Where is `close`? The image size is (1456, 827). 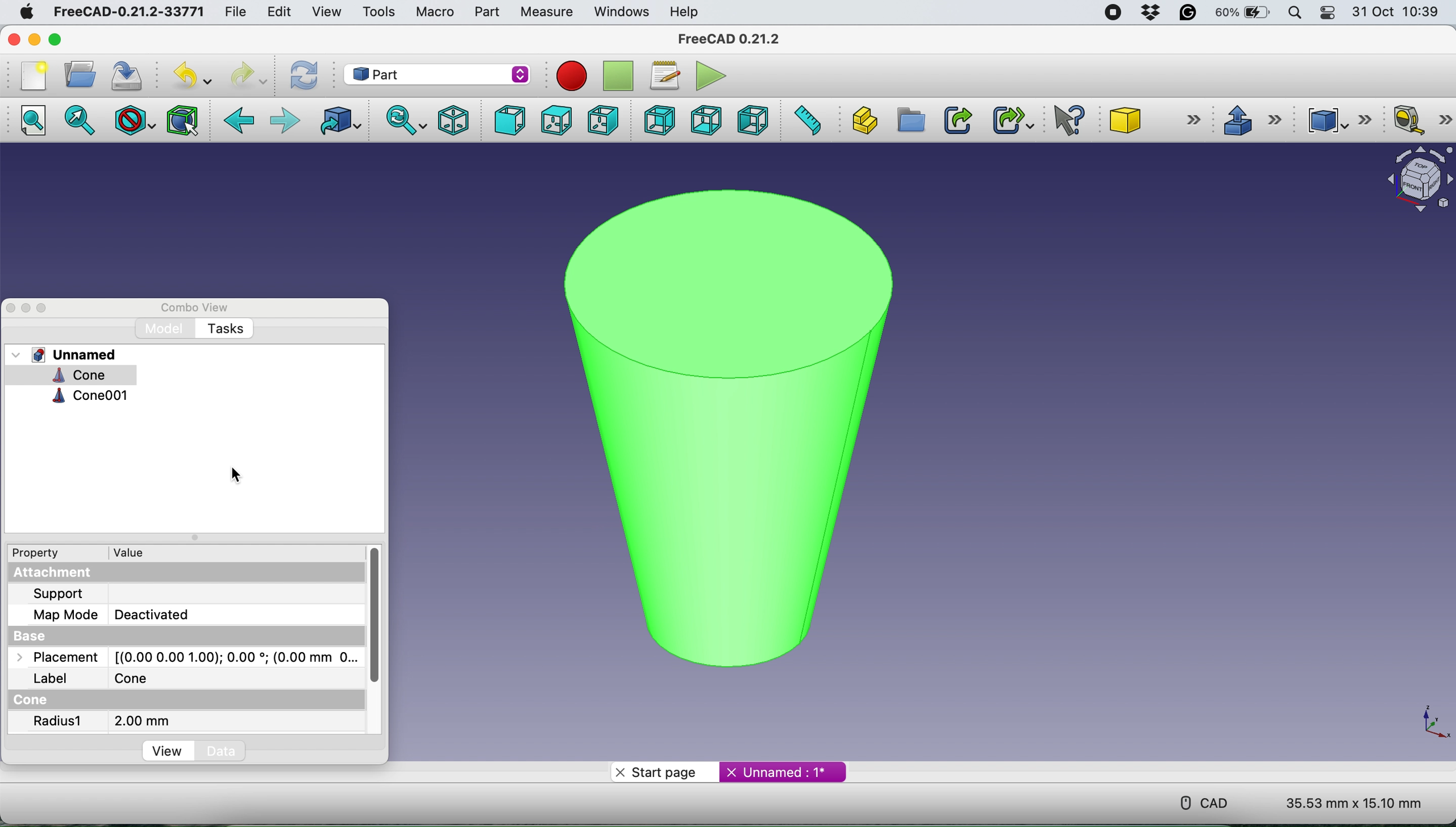 close is located at coordinates (16, 40).